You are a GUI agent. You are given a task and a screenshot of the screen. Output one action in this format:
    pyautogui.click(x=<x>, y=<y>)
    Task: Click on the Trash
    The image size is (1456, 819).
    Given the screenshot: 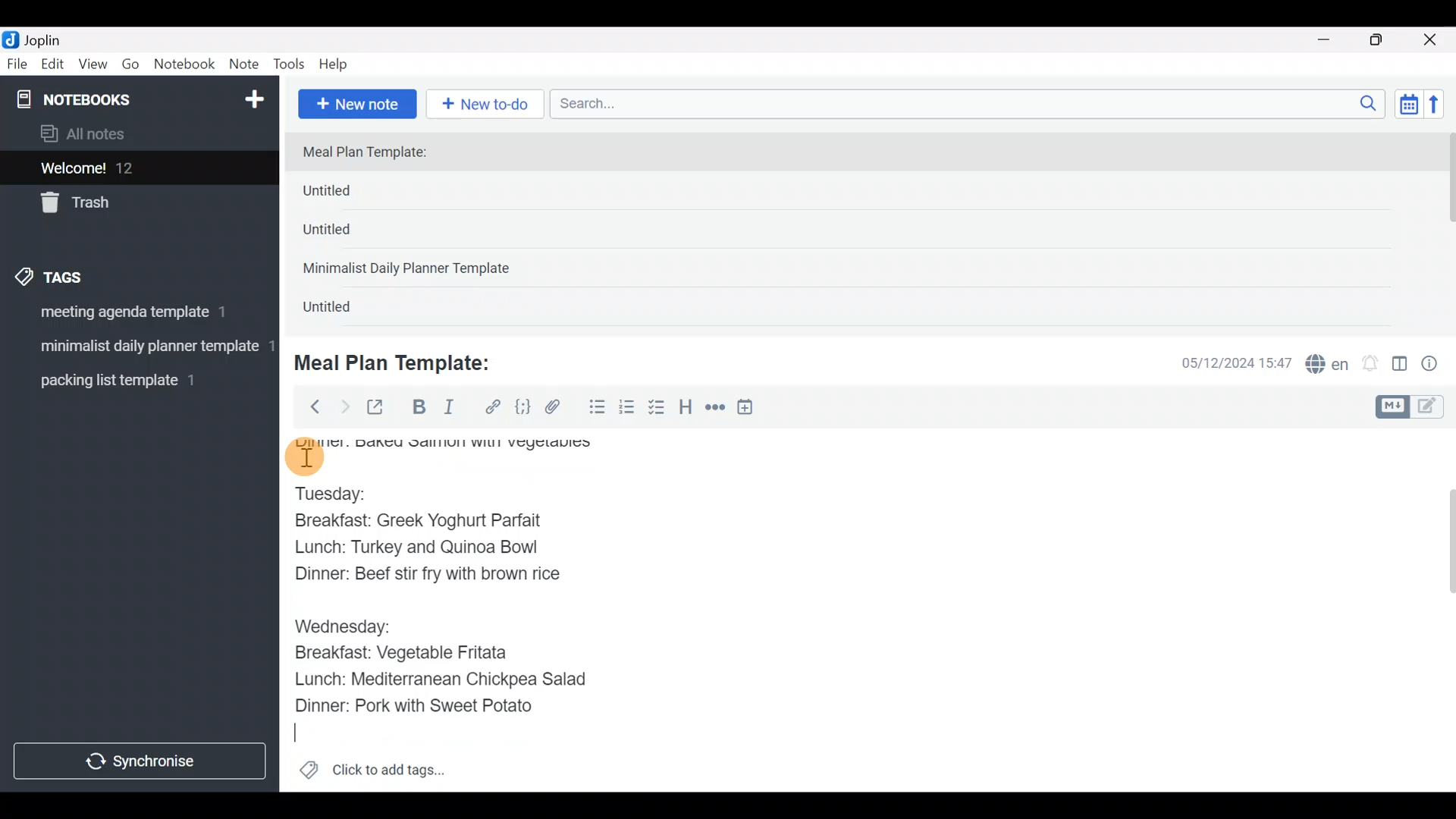 What is the action you would take?
    pyautogui.click(x=130, y=204)
    